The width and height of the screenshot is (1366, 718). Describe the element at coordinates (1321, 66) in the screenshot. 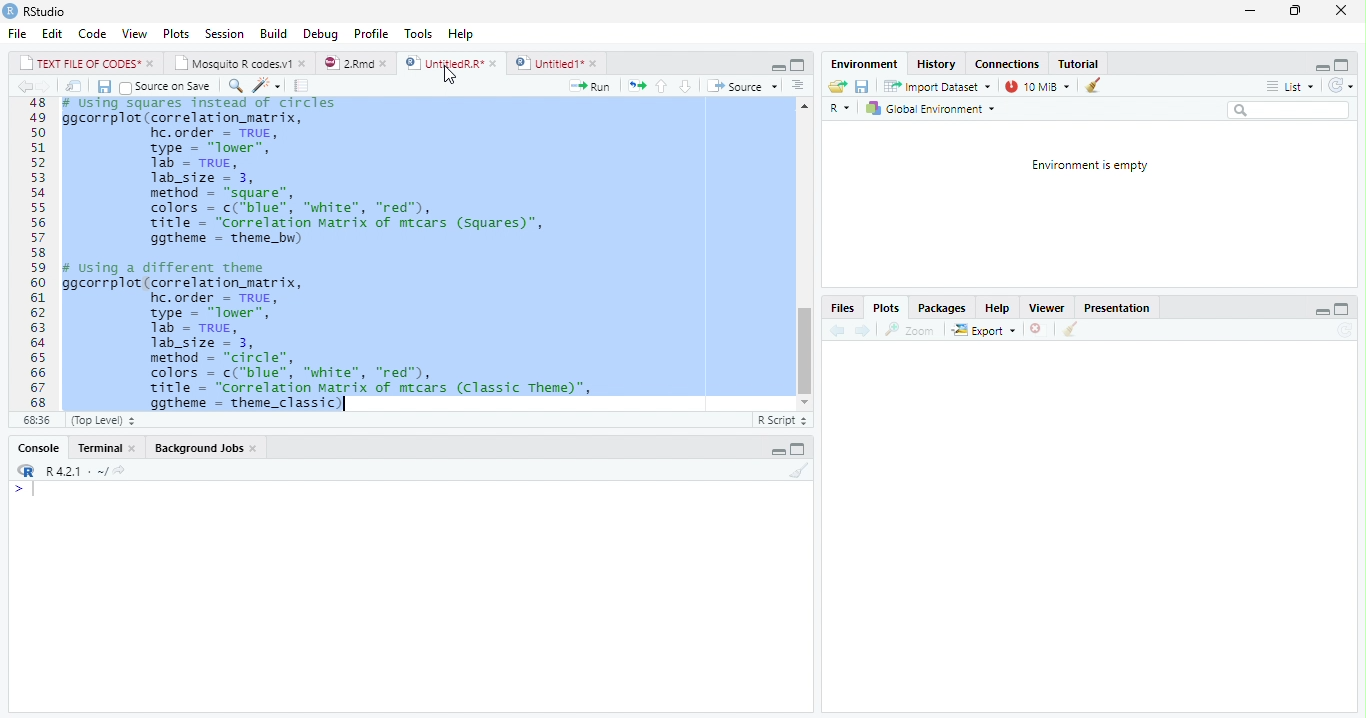

I see `hide r script` at that location.